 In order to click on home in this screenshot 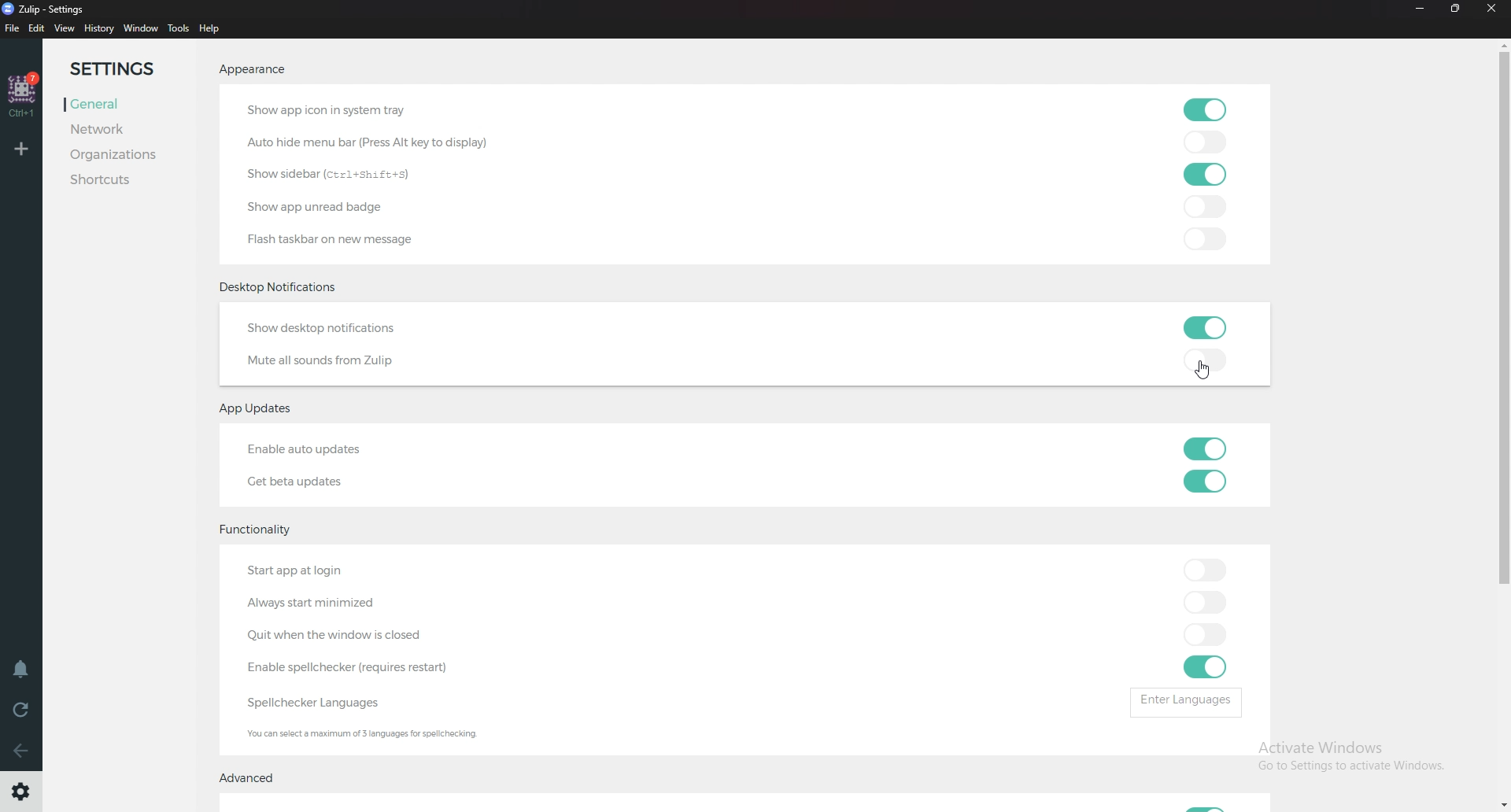, I will do `click(24, 94)`.